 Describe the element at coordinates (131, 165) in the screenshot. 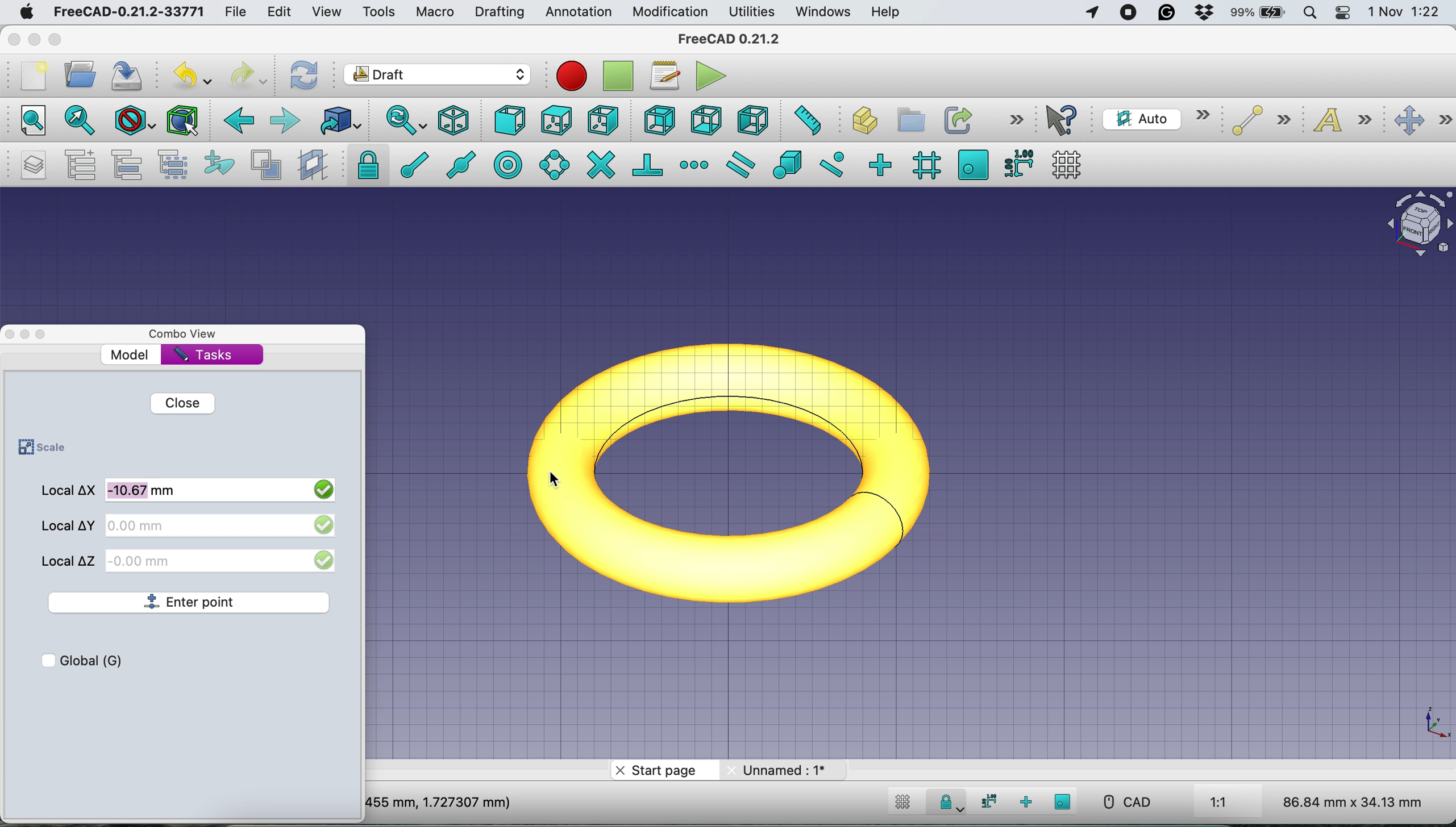

I see `move to group` at that location.